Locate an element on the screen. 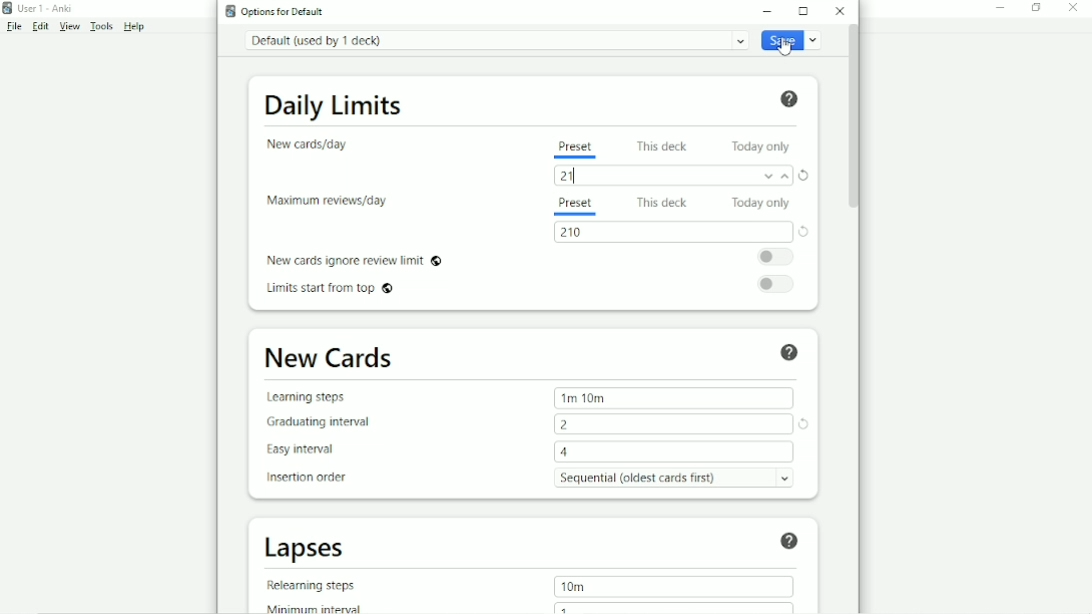 This screenshot has width=1092, height=614. Minimize is located at coordinates (767, 11).